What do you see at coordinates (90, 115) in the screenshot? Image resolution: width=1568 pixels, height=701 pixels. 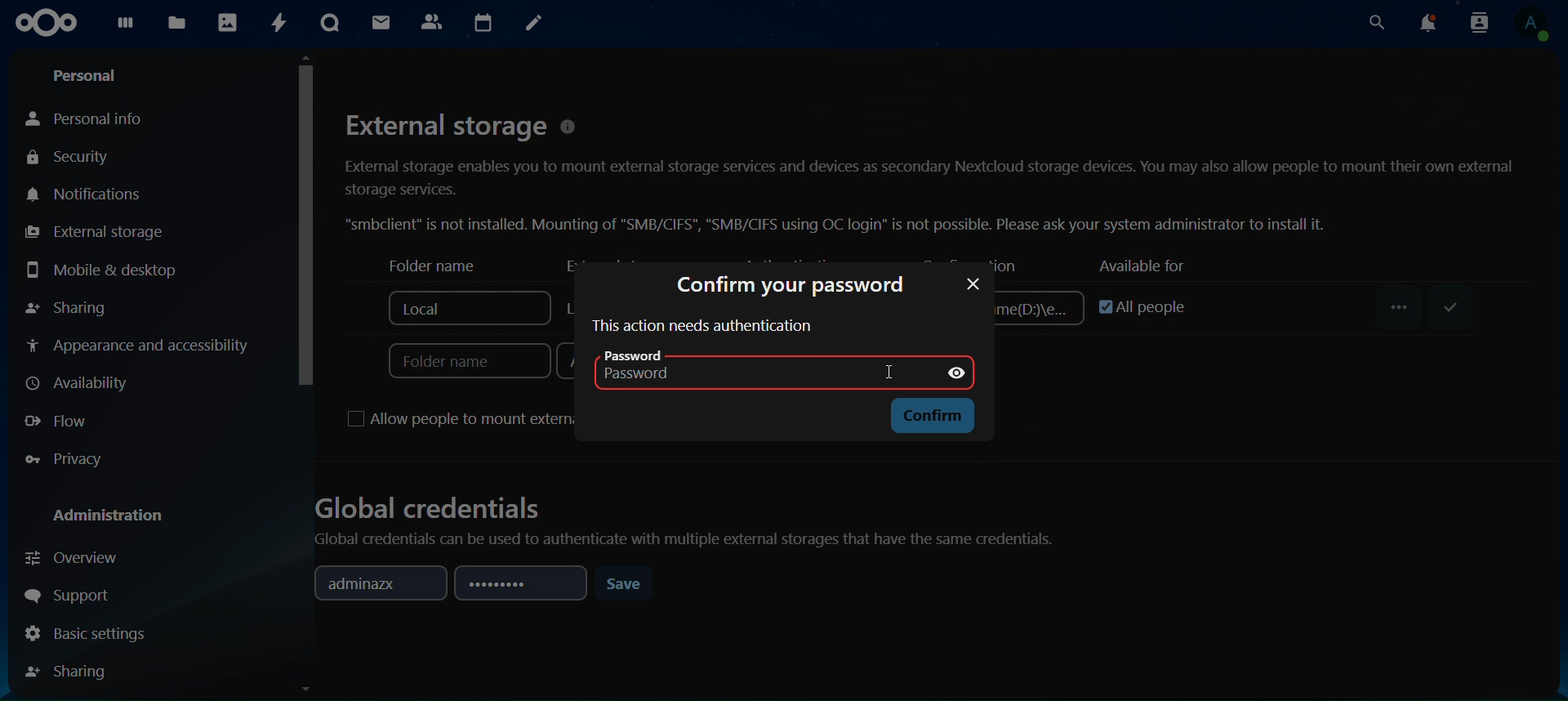 I see `personal info` at bounding box center [90, 115].